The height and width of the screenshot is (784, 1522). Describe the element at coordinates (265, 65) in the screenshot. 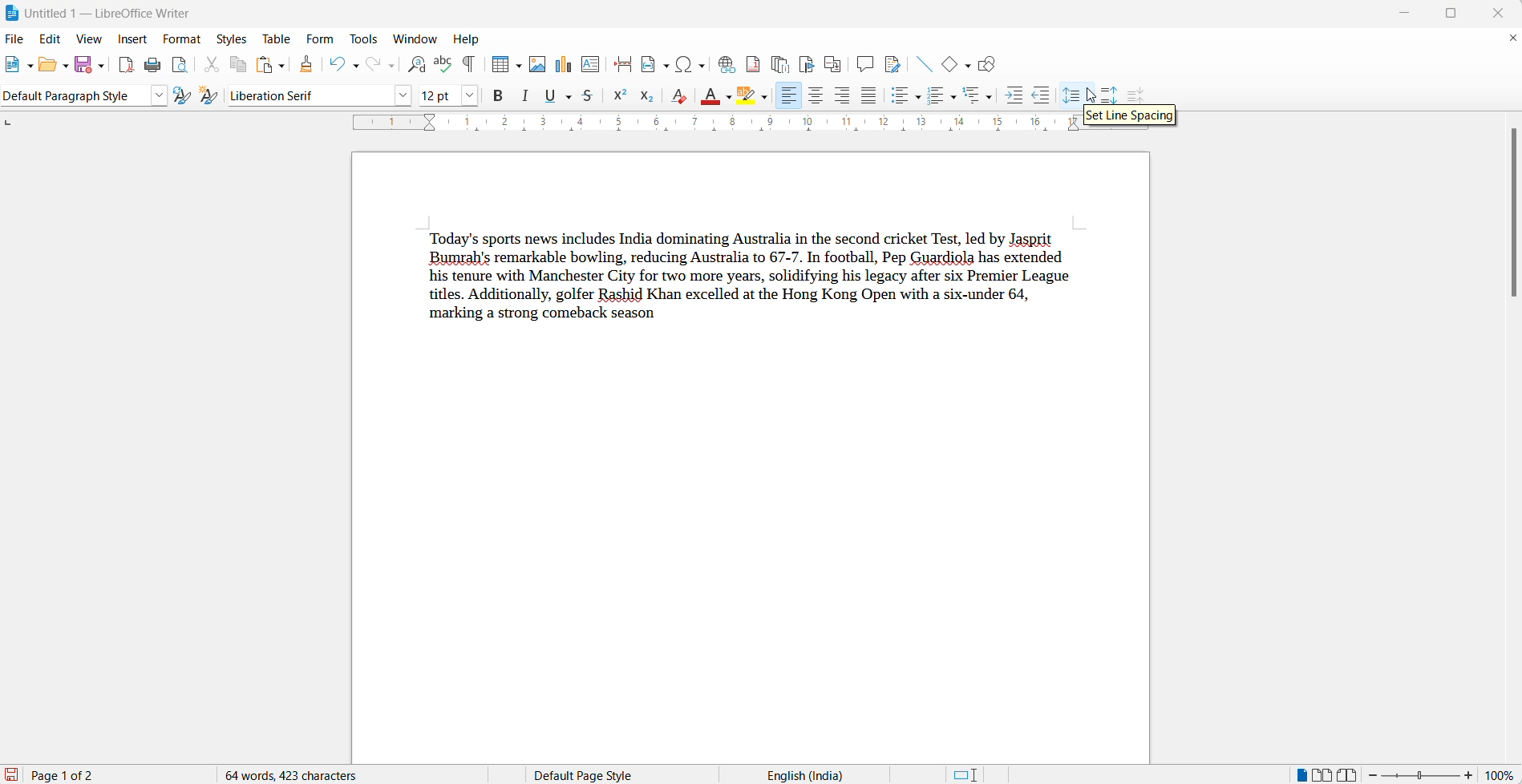

I see `paste` at that location.